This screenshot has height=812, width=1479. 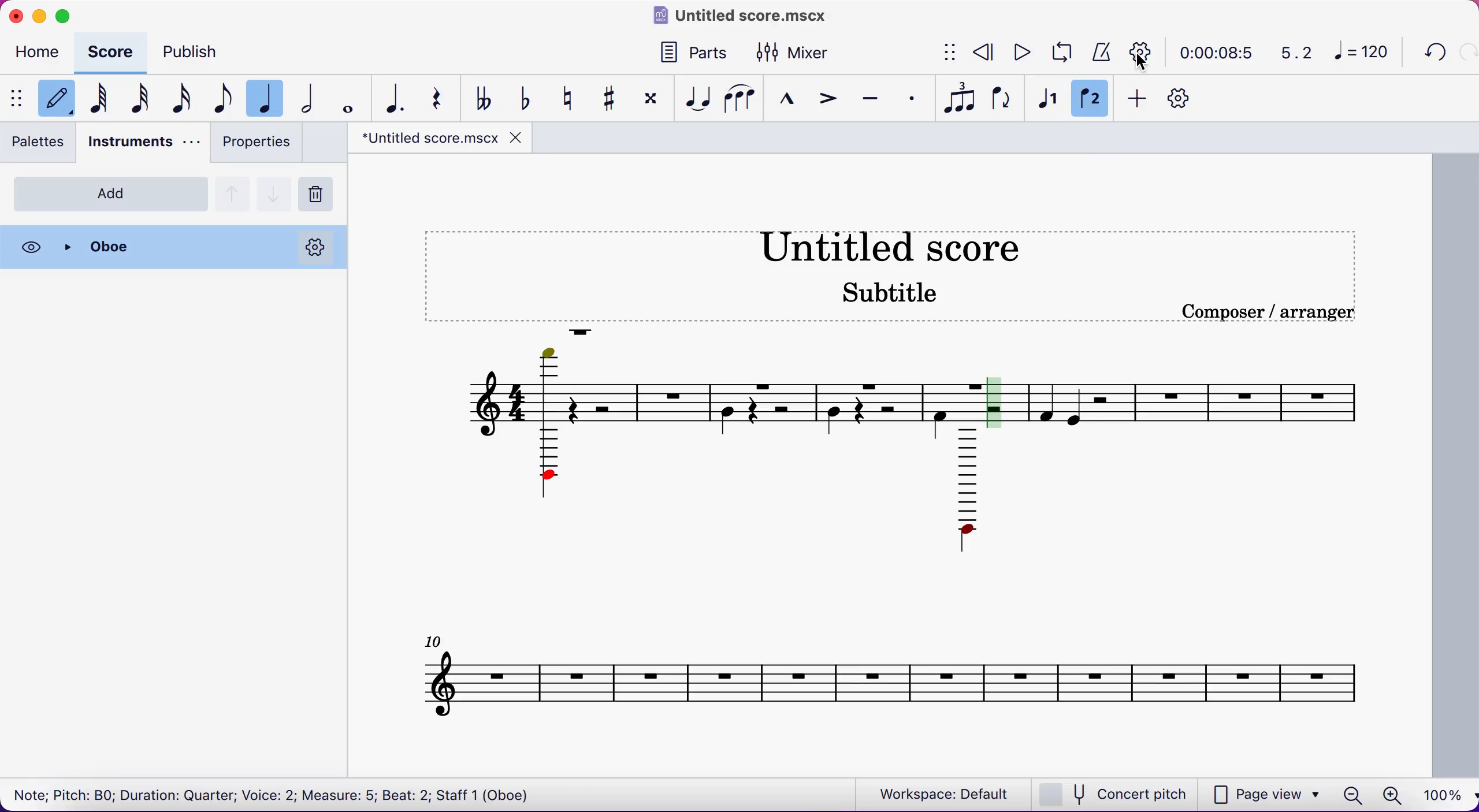 I want to click on metronome, so click(x=1102, y=51).